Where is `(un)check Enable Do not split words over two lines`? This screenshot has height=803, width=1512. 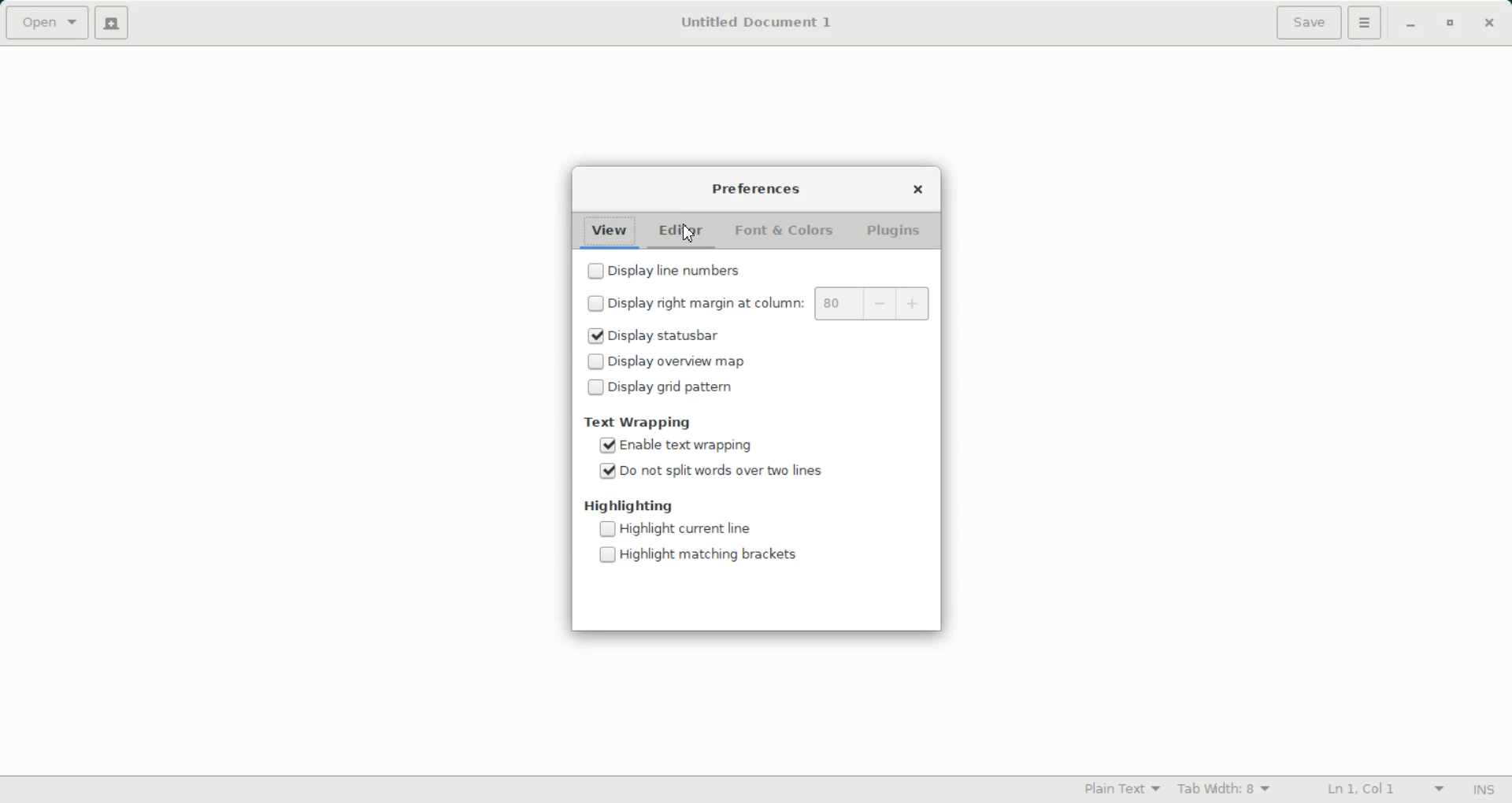 (un)check Enable Do not split words over two lines is located at coordinates (710, 471).